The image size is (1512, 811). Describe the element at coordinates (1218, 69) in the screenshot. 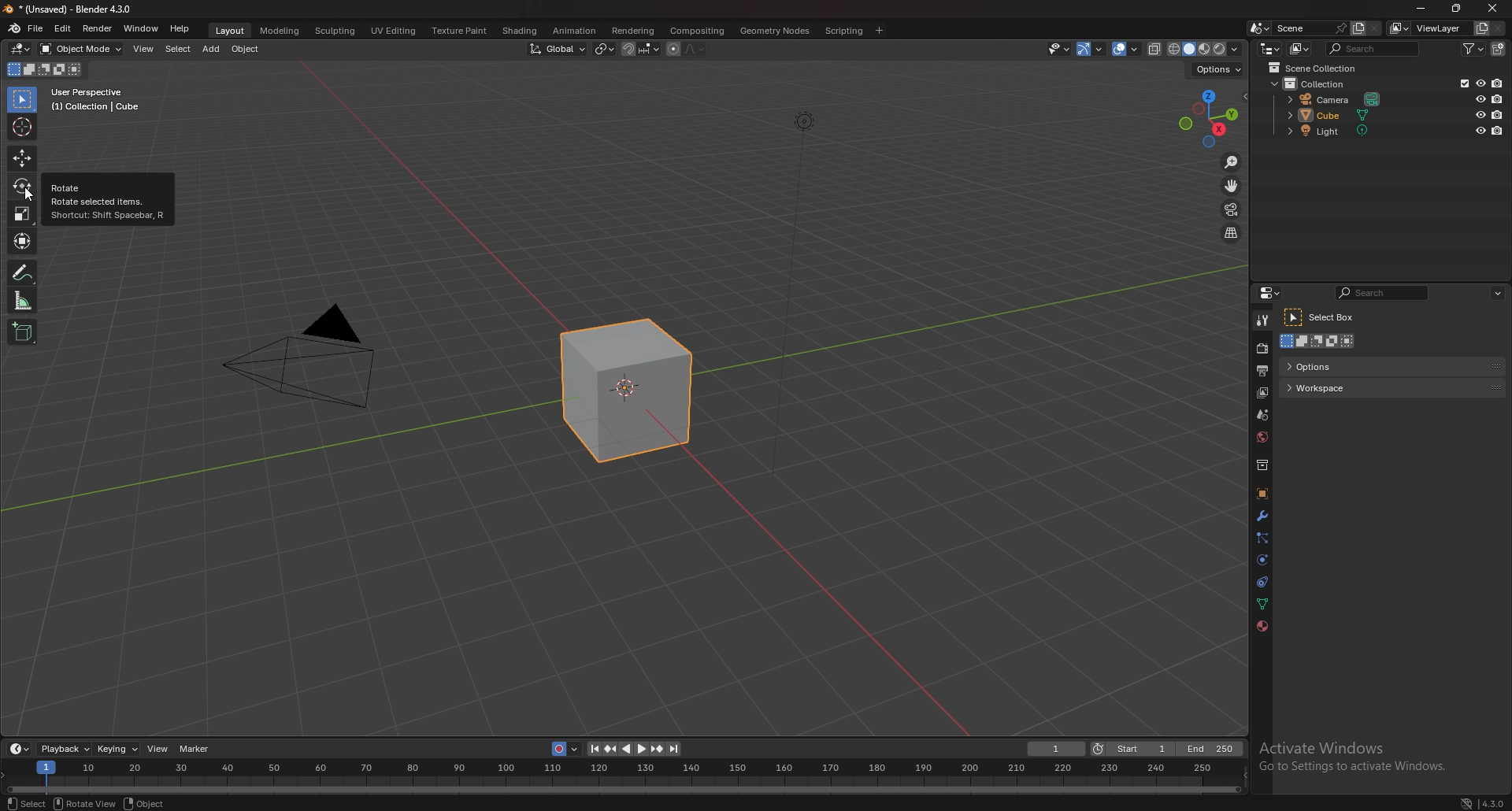

I see `options` at that location.